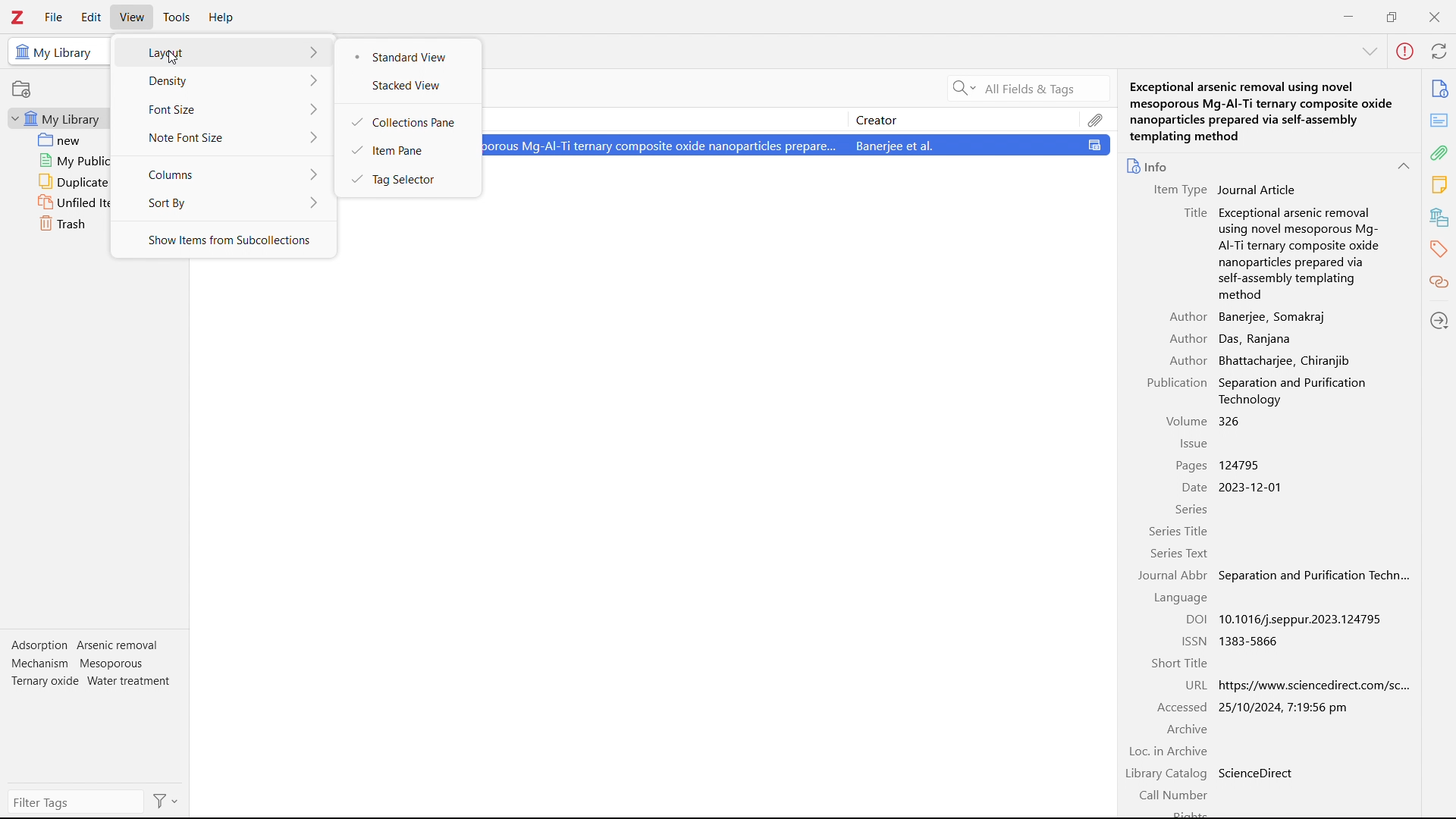 This screenshot has height=819, width=1456. I want to click on unfiled items, so click(58, 203).